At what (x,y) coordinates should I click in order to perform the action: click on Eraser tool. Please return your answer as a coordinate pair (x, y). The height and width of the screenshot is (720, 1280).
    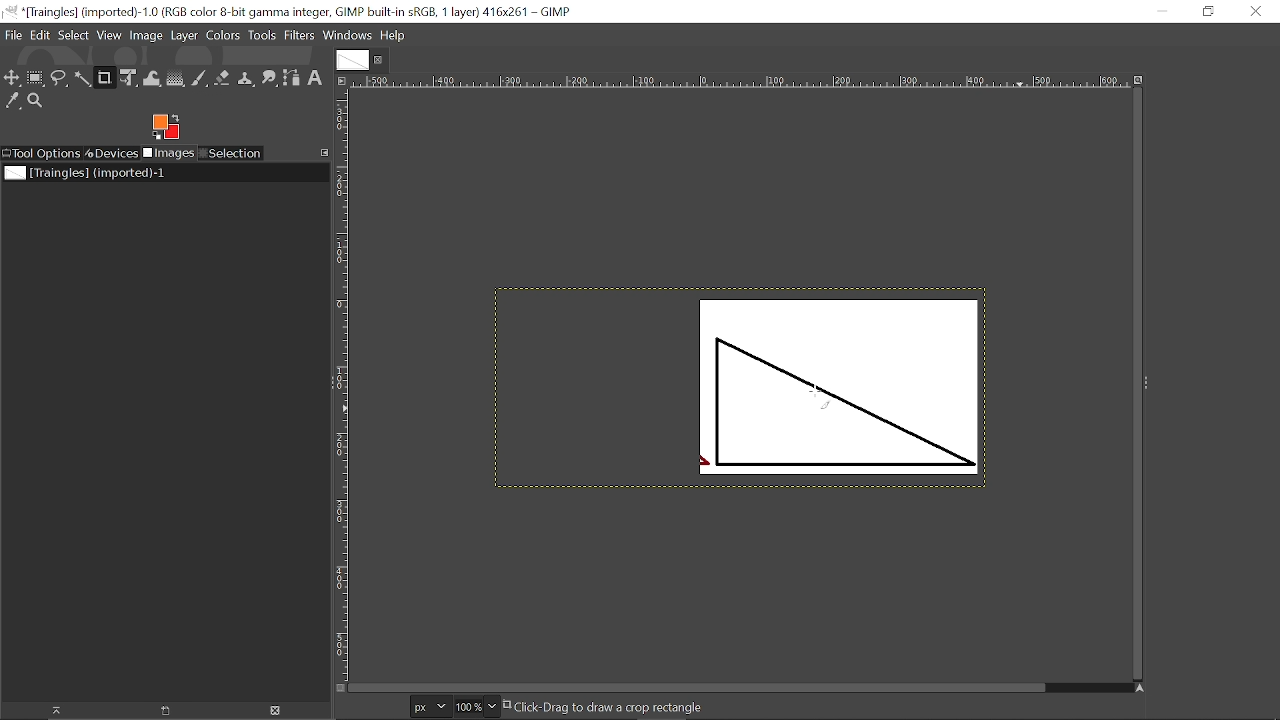
    Looking at the image, I should click on (222, 78).